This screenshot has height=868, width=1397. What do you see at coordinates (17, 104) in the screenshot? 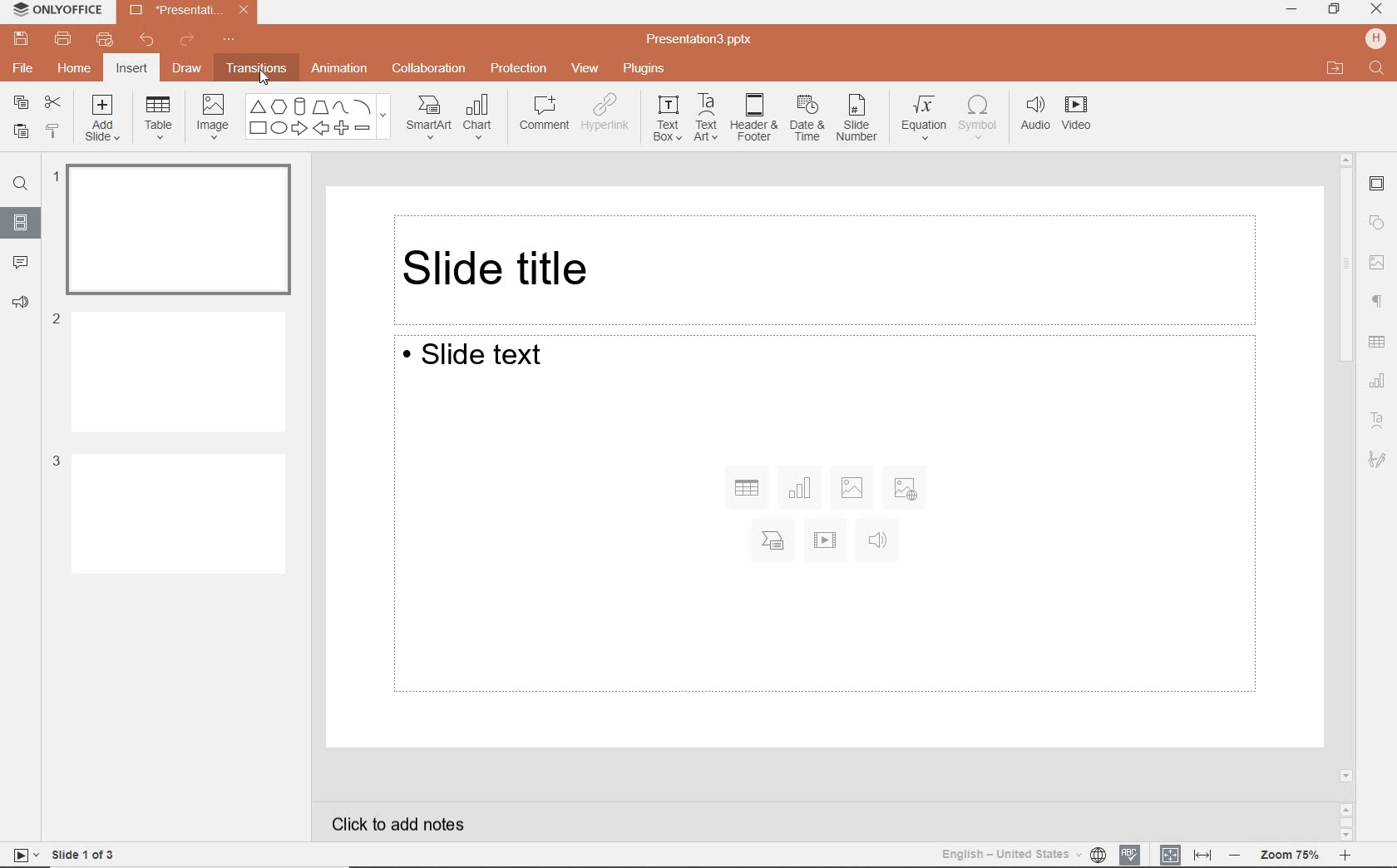
I see `copy` at bounding box center [17, 104].